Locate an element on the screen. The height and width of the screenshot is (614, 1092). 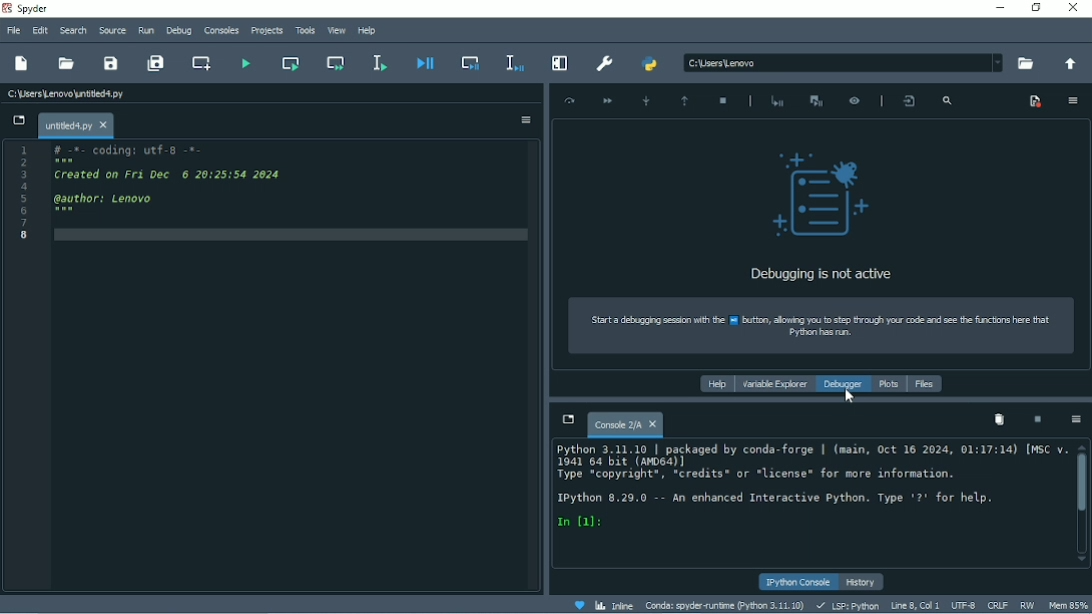
Stop debugging is located at coordinates (722, 101).